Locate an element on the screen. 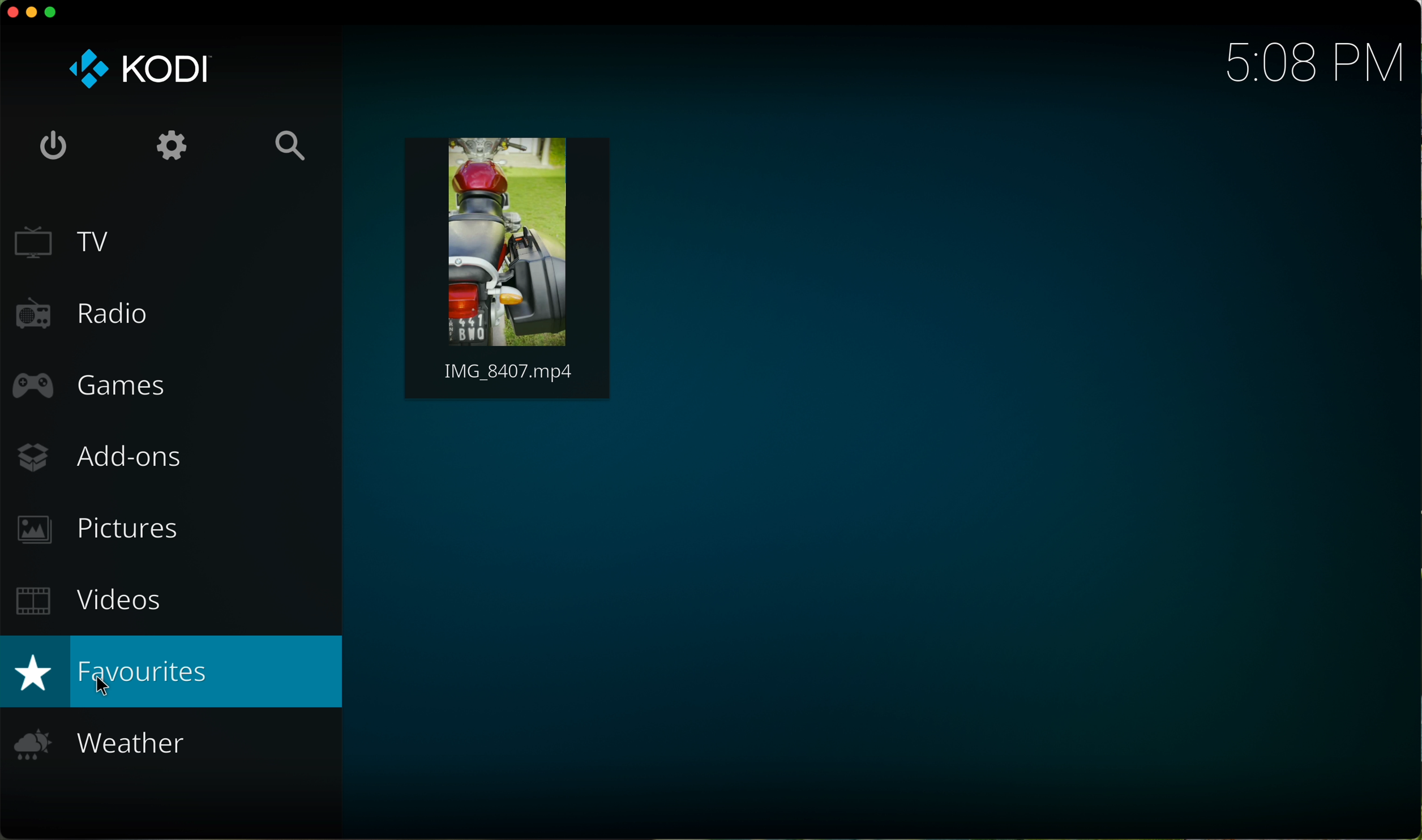 Image resolution: width=1422 pixels, height=840 pixels. weather is located at coordinates (113, 749).